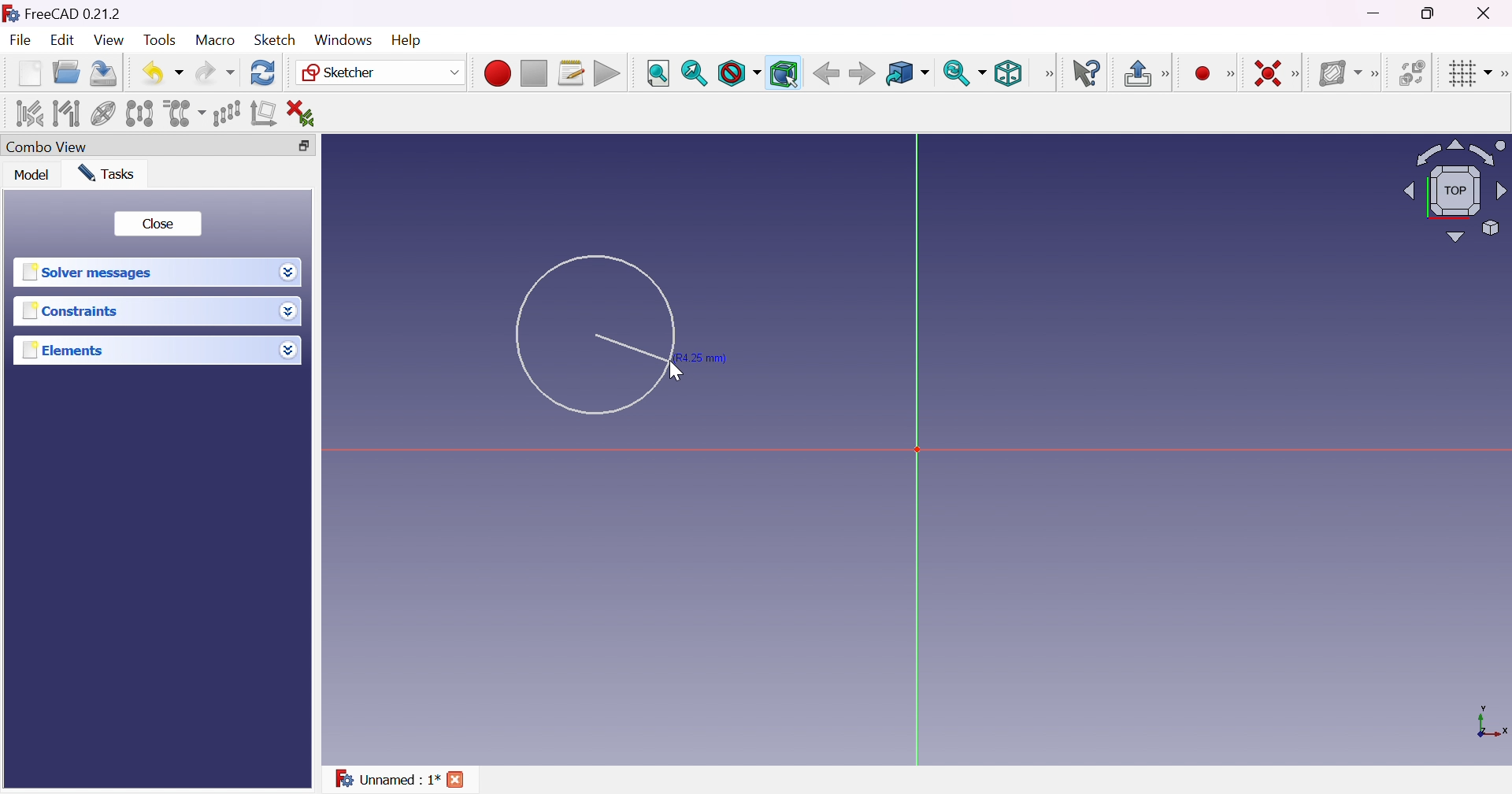 This screenshot has width=1512, height=794. Describe the element at coordinates (288, 350) in the screenshot. I see `Drop down` at that location.